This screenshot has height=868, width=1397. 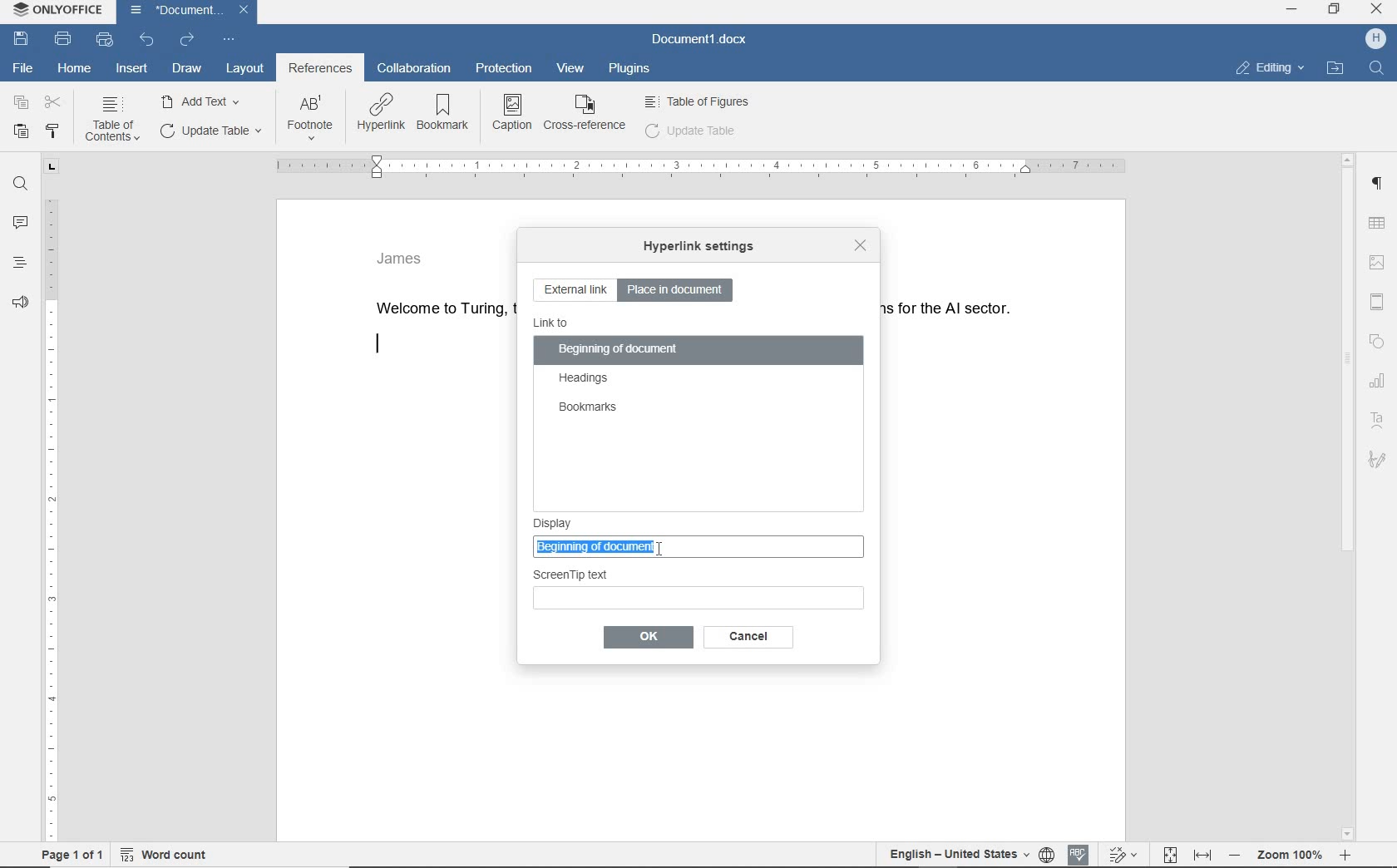 I want to click on save, so click(x=20, y=38).